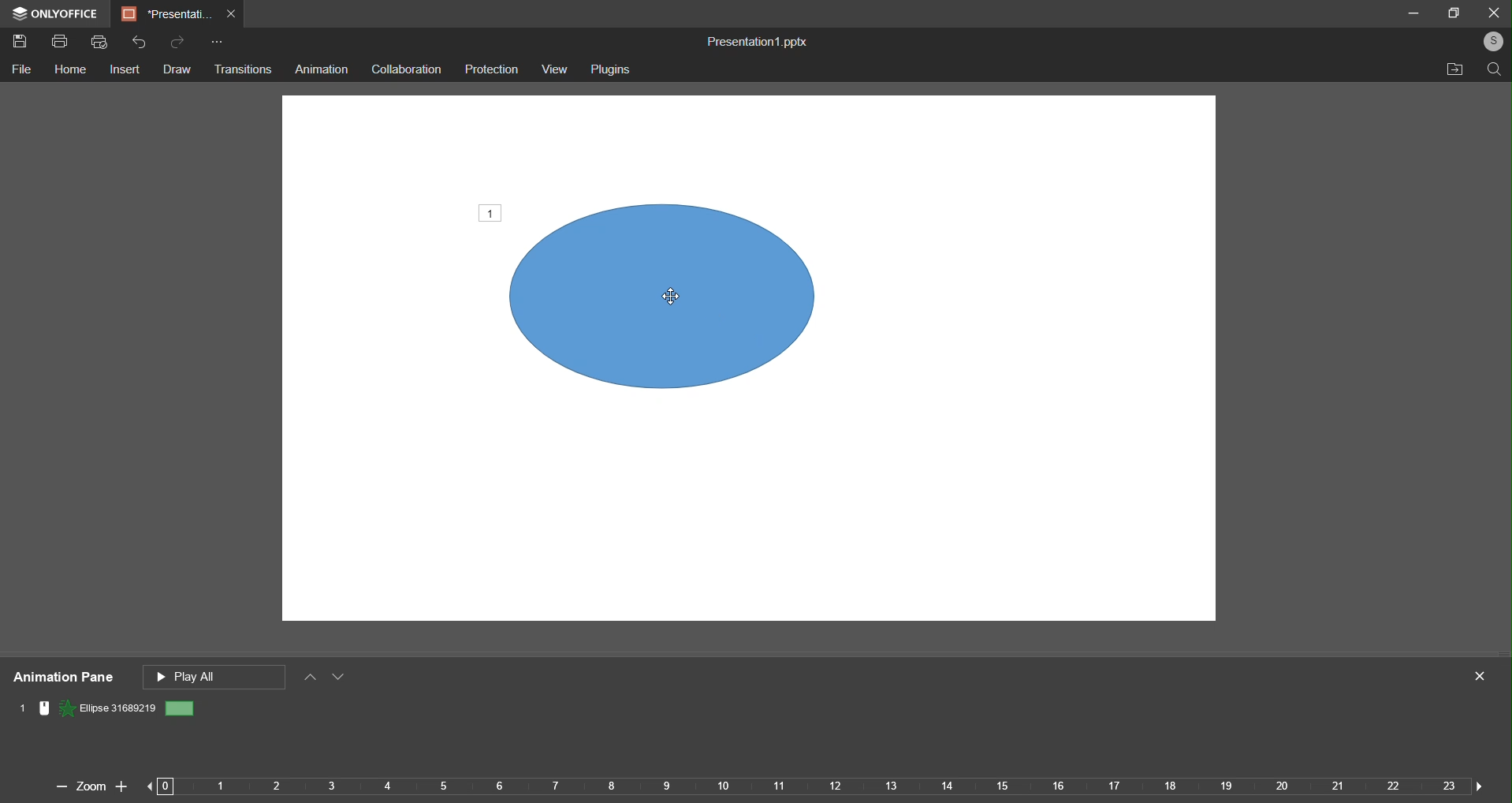  Describe the element at coordinates (1413, 12) in the screenshot. I see `minimize` at that location.